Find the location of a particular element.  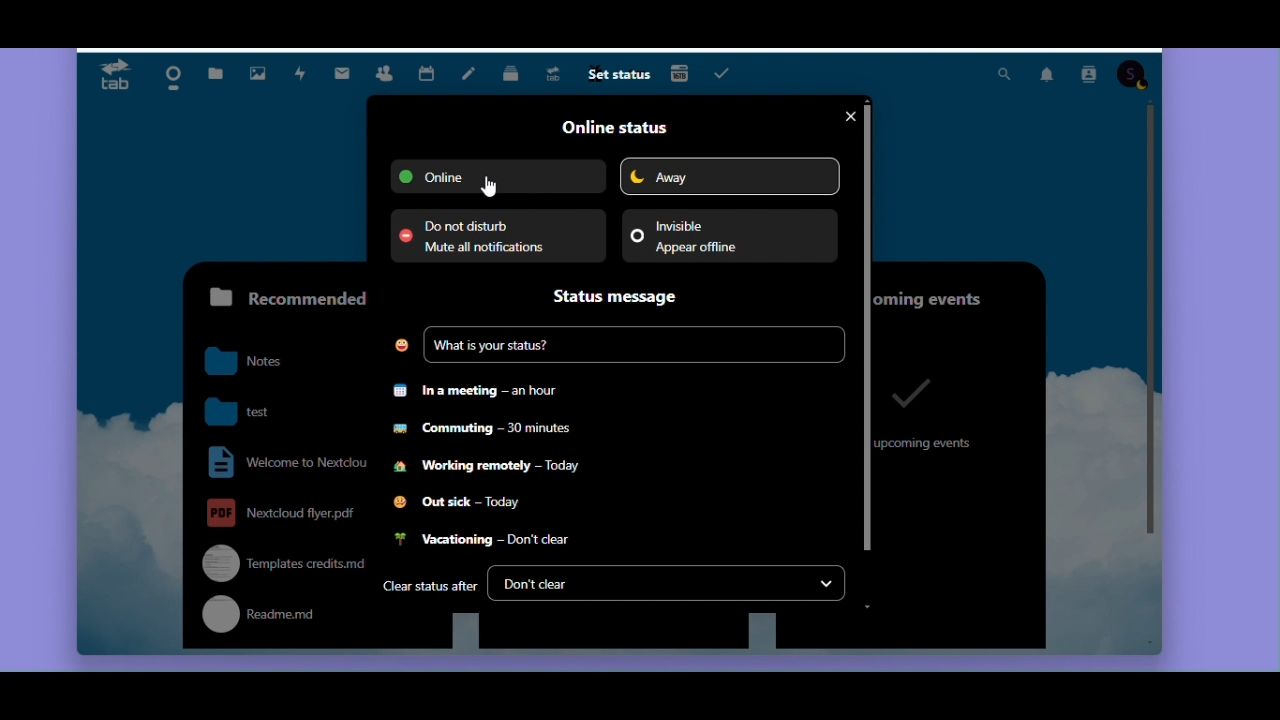

Vertical scrollbar is located at coordinates (1151, 322).